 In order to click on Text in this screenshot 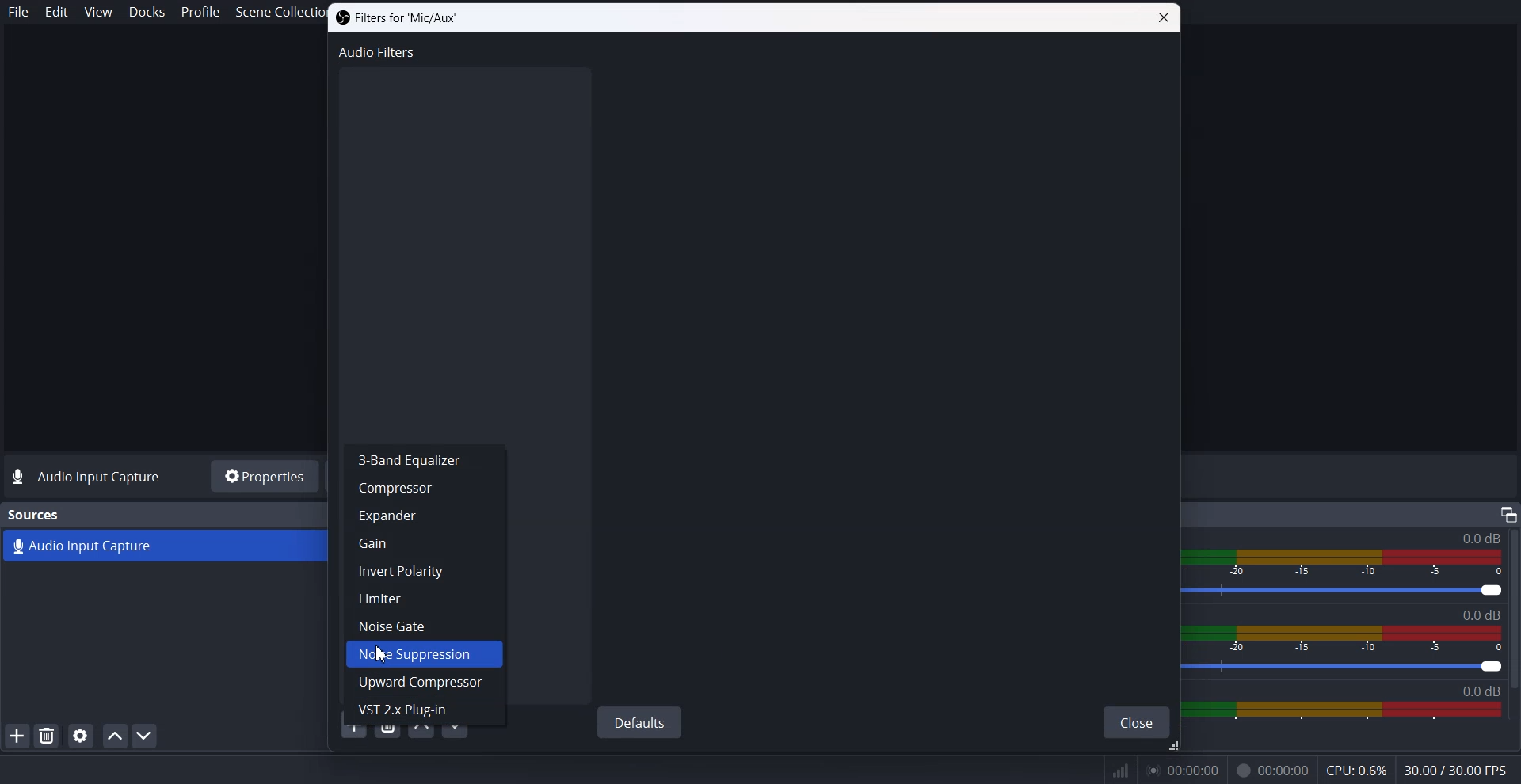, I will do `click(35, 515)`.